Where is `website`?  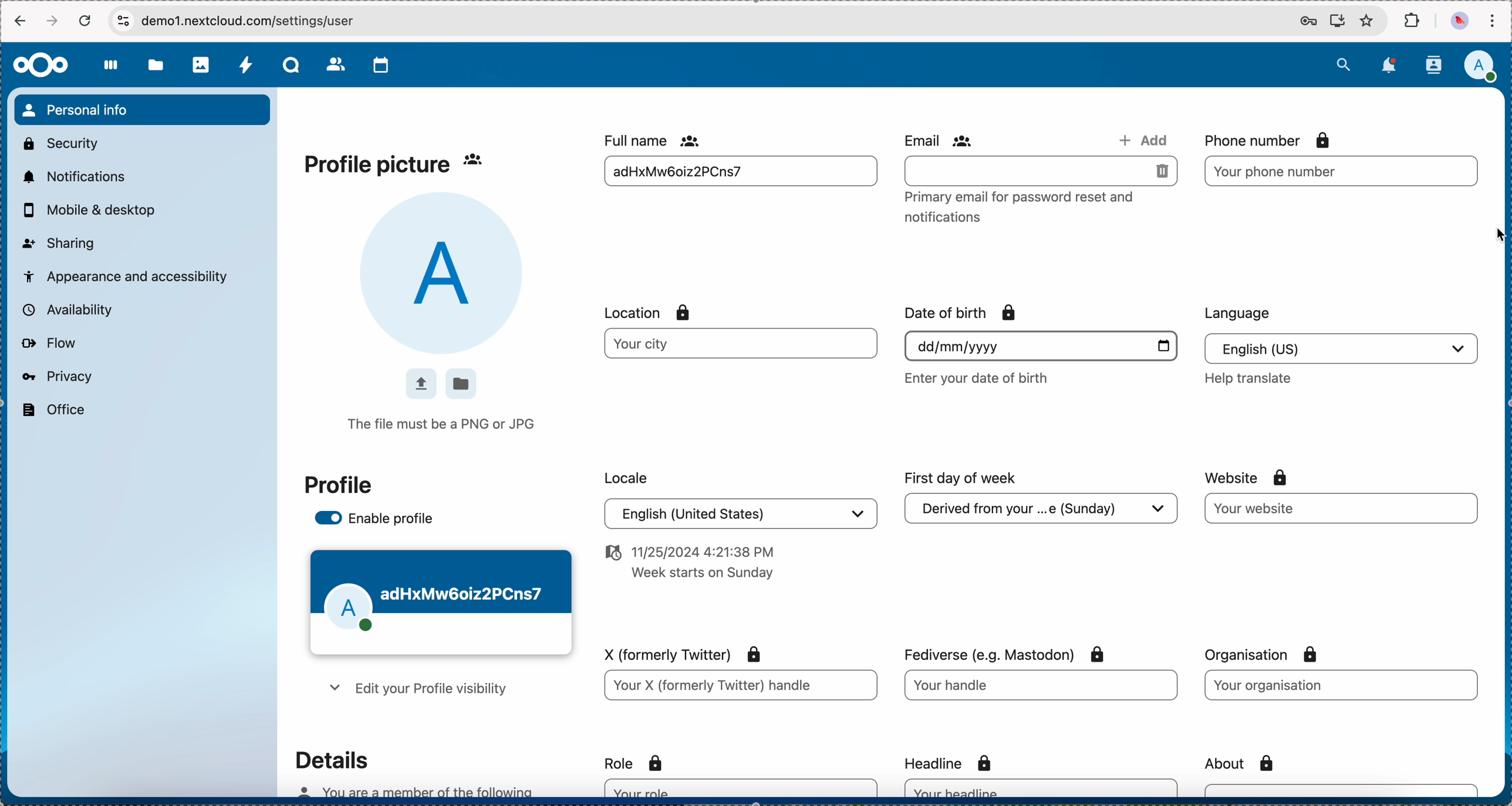 website is located at coordinates (1248, 478).